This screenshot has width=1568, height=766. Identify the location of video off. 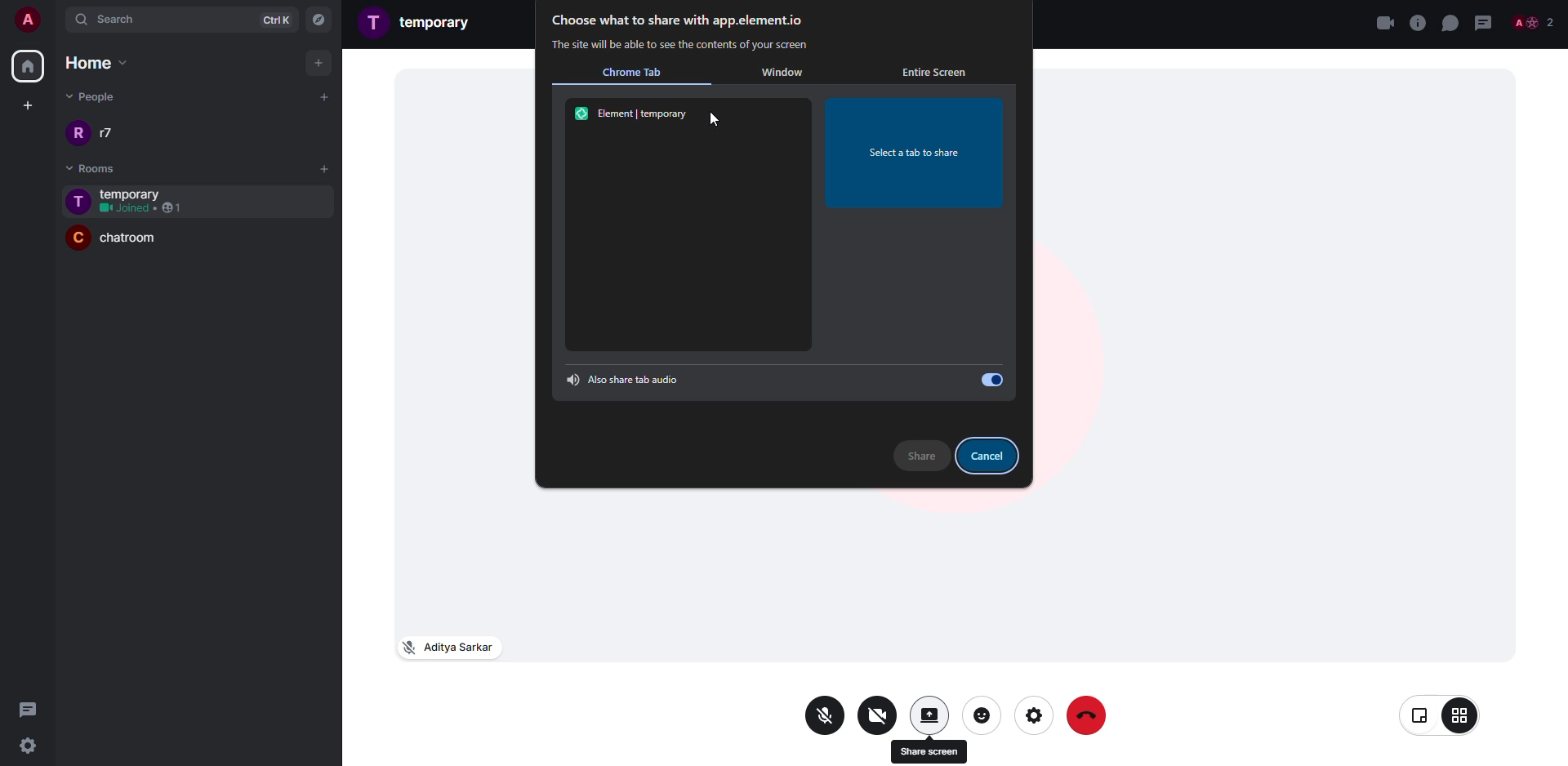
(878, 714).